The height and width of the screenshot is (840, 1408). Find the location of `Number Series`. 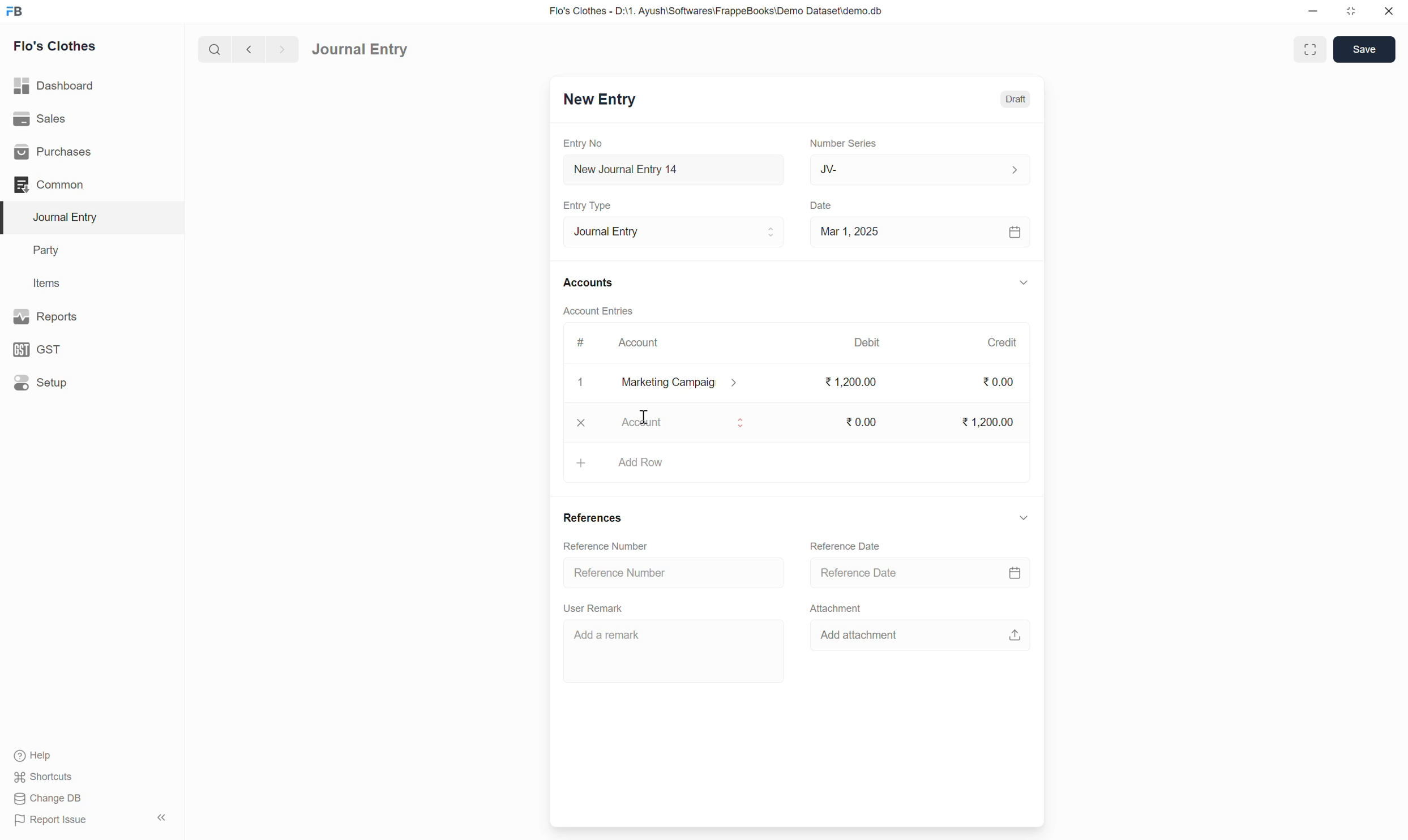

Number Series is located at coordinates (844, 142).